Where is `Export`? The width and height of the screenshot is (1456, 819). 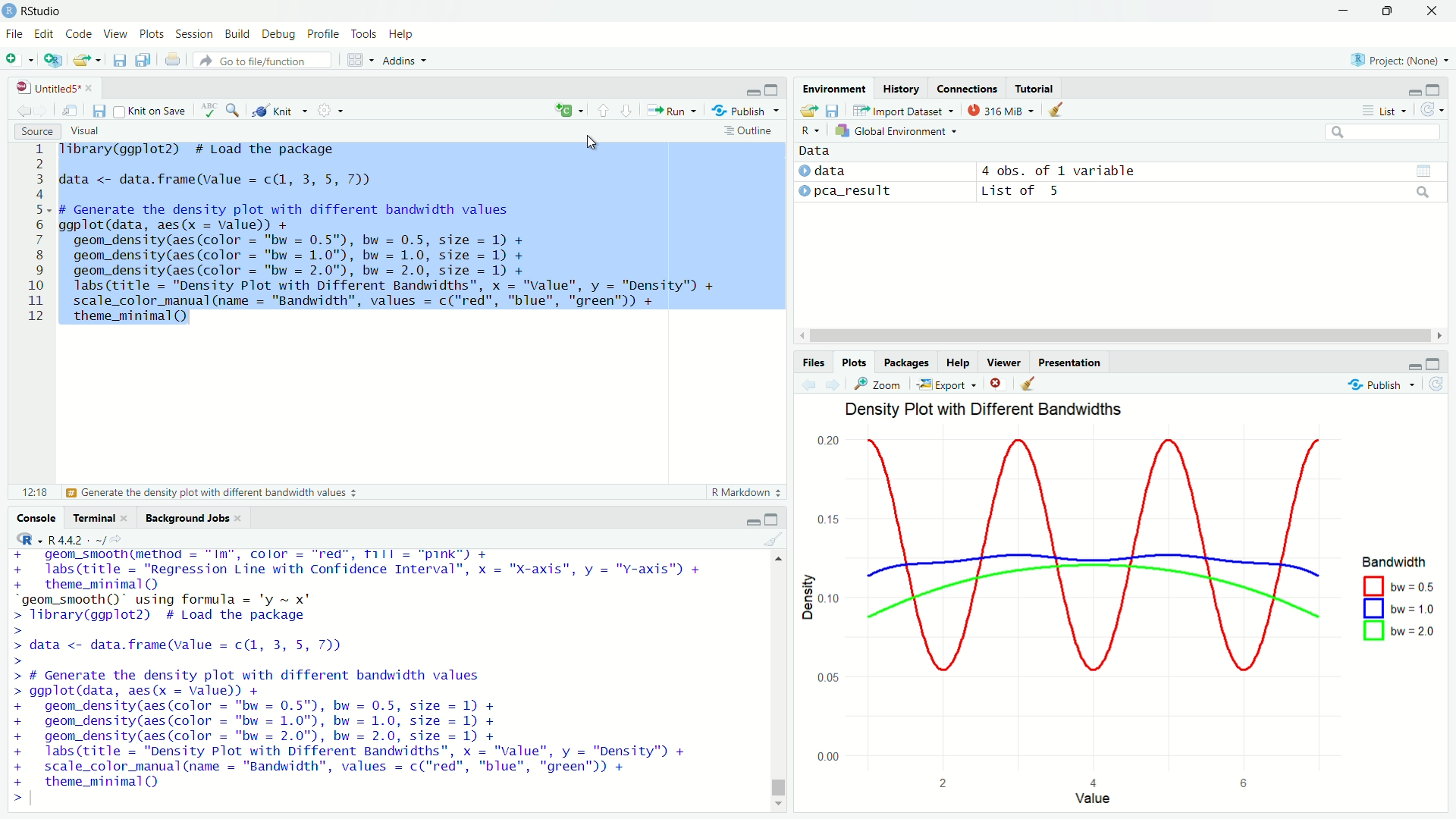 Export is located at coordinates (947, 384).